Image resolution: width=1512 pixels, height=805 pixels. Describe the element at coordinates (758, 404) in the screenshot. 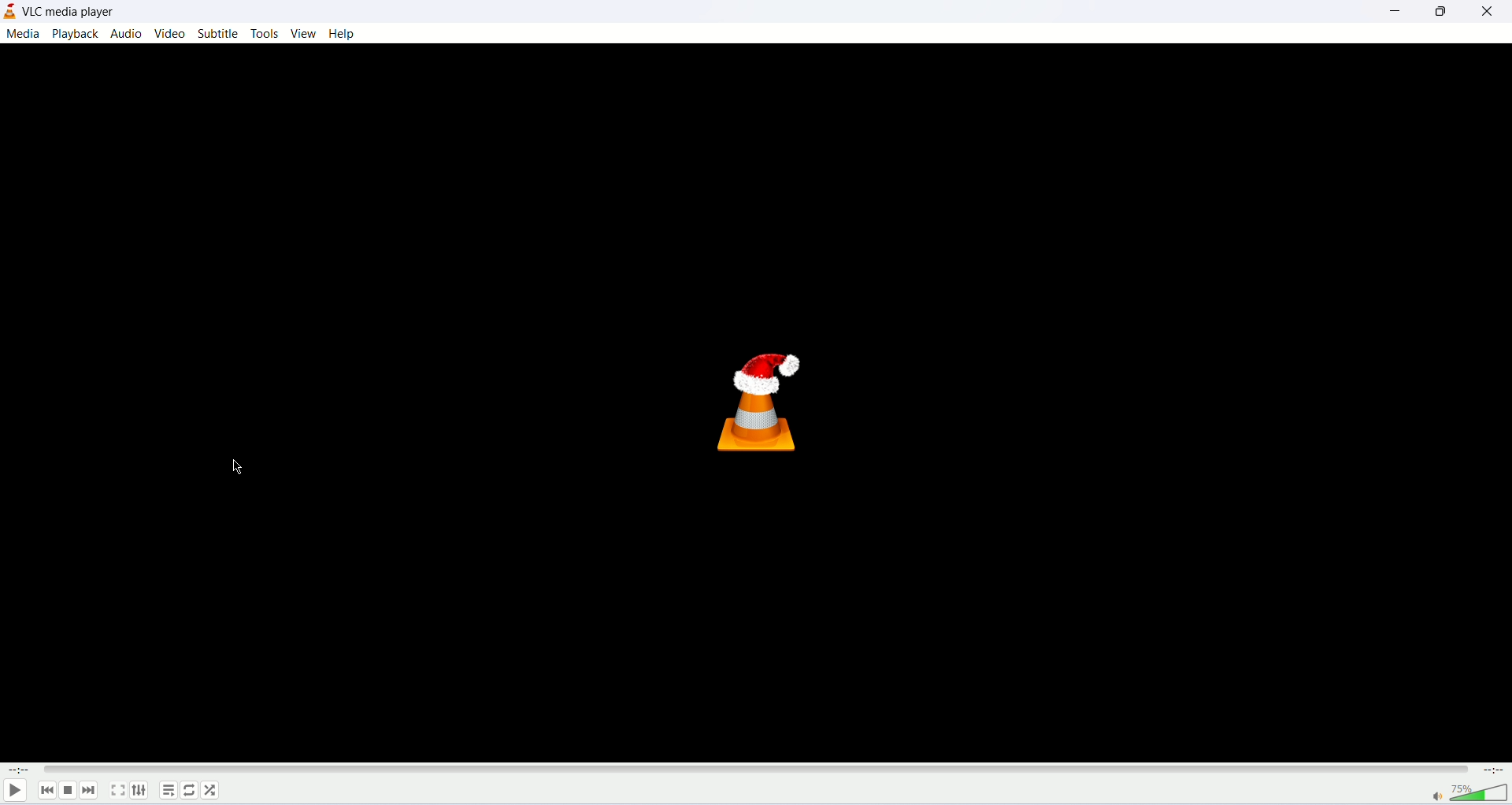

I see `vlc logo` at that location.